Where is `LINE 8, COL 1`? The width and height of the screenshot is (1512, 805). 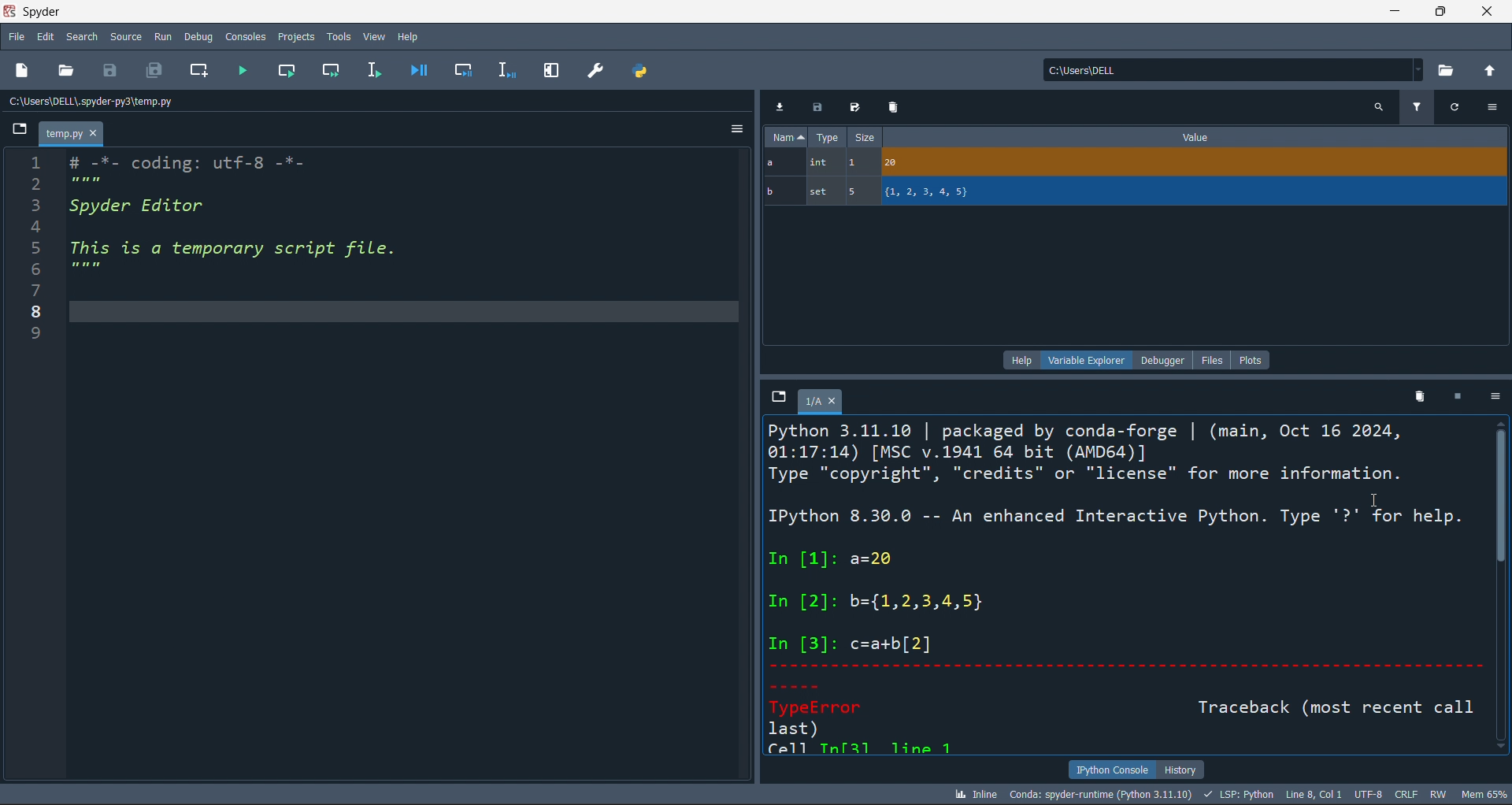 LINE 8, COL 1 is located at coordinates (1317, 794).